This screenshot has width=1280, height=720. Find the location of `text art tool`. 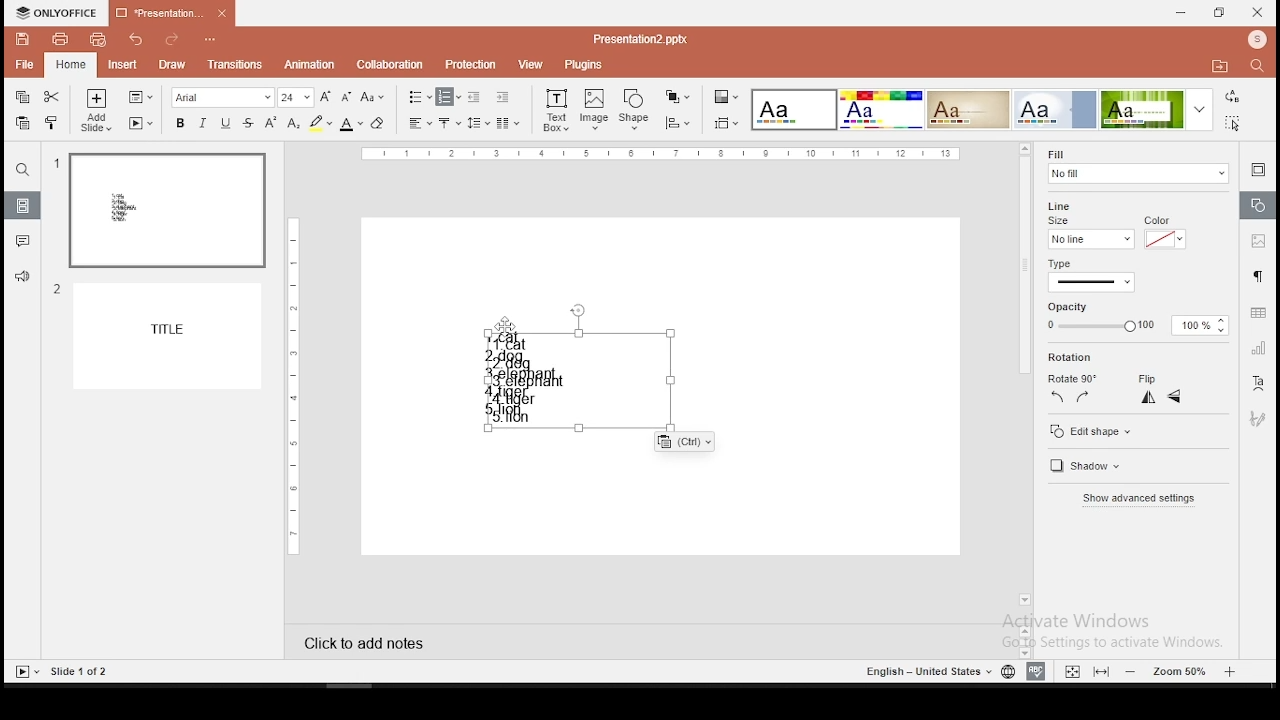

text art tool is located at coordinates (1260, 386).